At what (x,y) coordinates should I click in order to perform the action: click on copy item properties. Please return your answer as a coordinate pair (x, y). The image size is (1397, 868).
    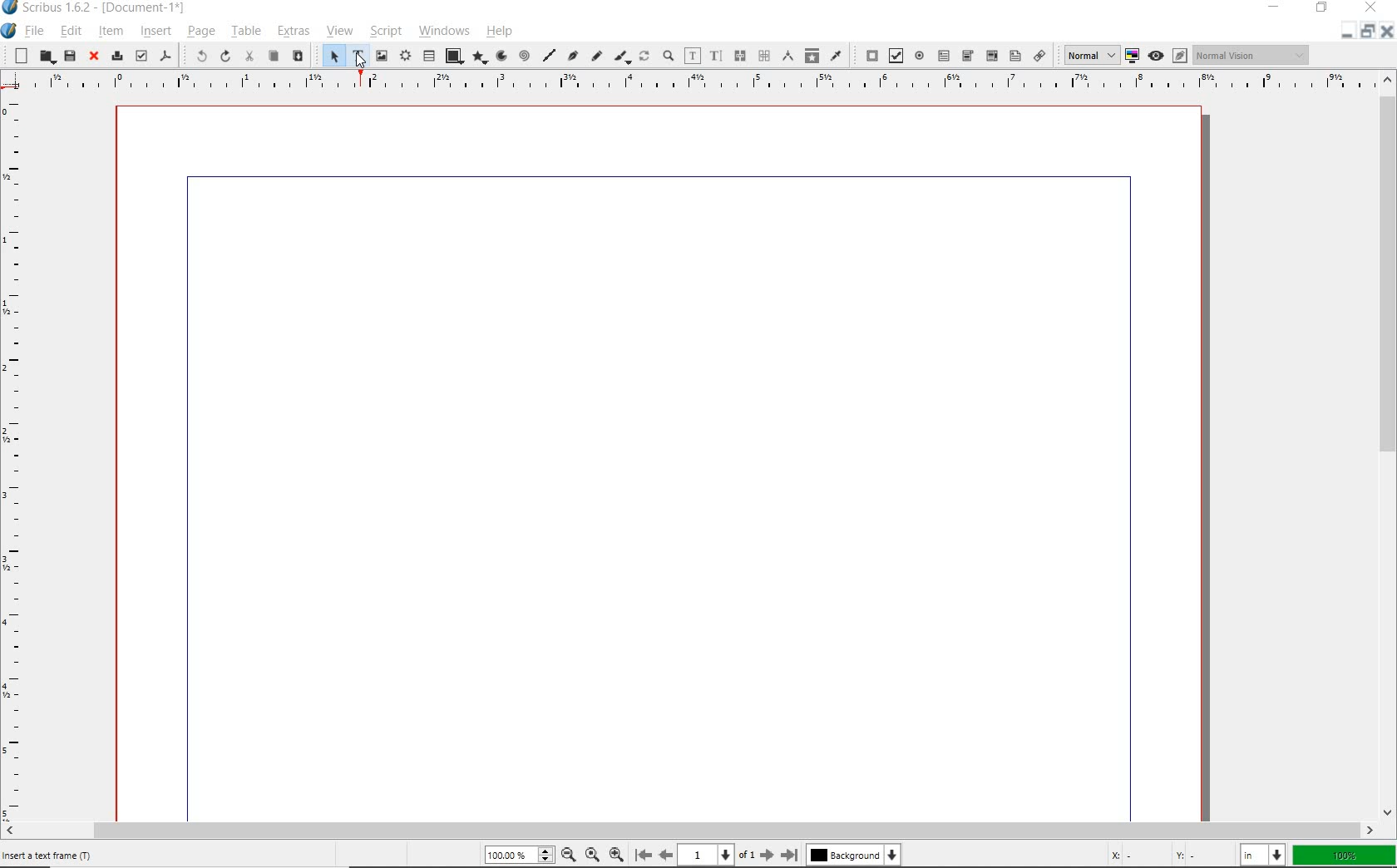
    Looking at the image, I should click on (811, 55).